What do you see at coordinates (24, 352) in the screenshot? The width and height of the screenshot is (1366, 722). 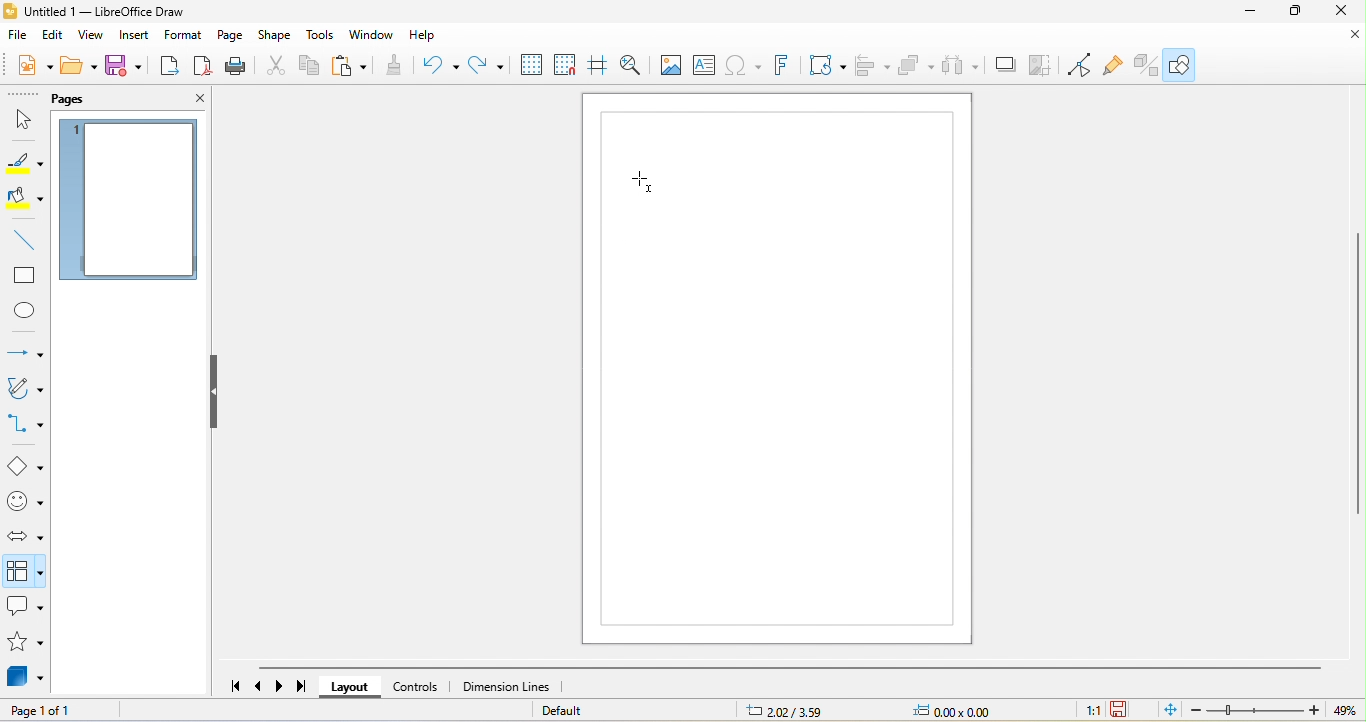 I see `lines and arrow` at bounding box center [24, 352].